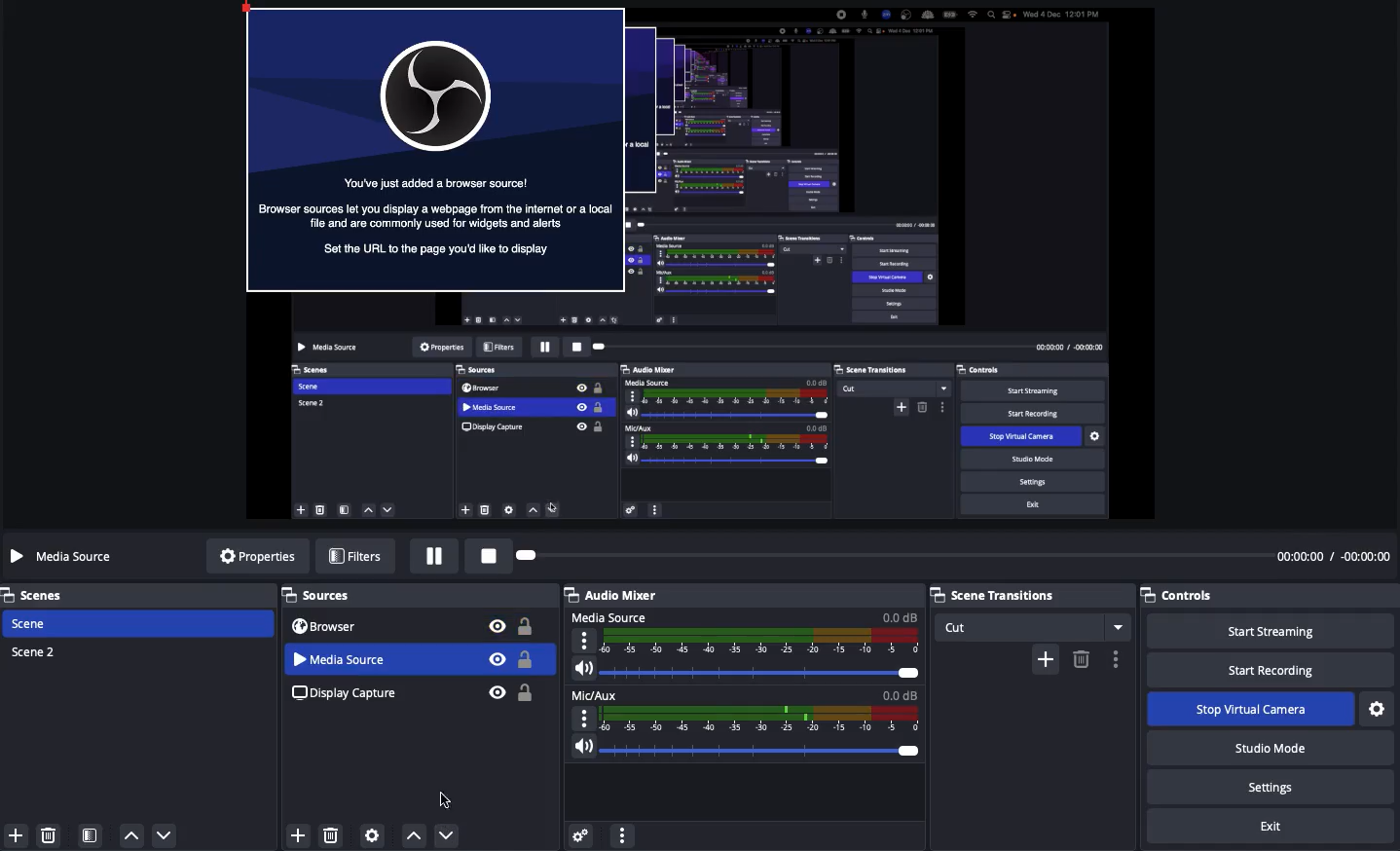 Image resolution: width=1400 pixels, height=851 pixels. Describe the element at coordinates (885, 556) in the screenshot. I see `Play` at that location.